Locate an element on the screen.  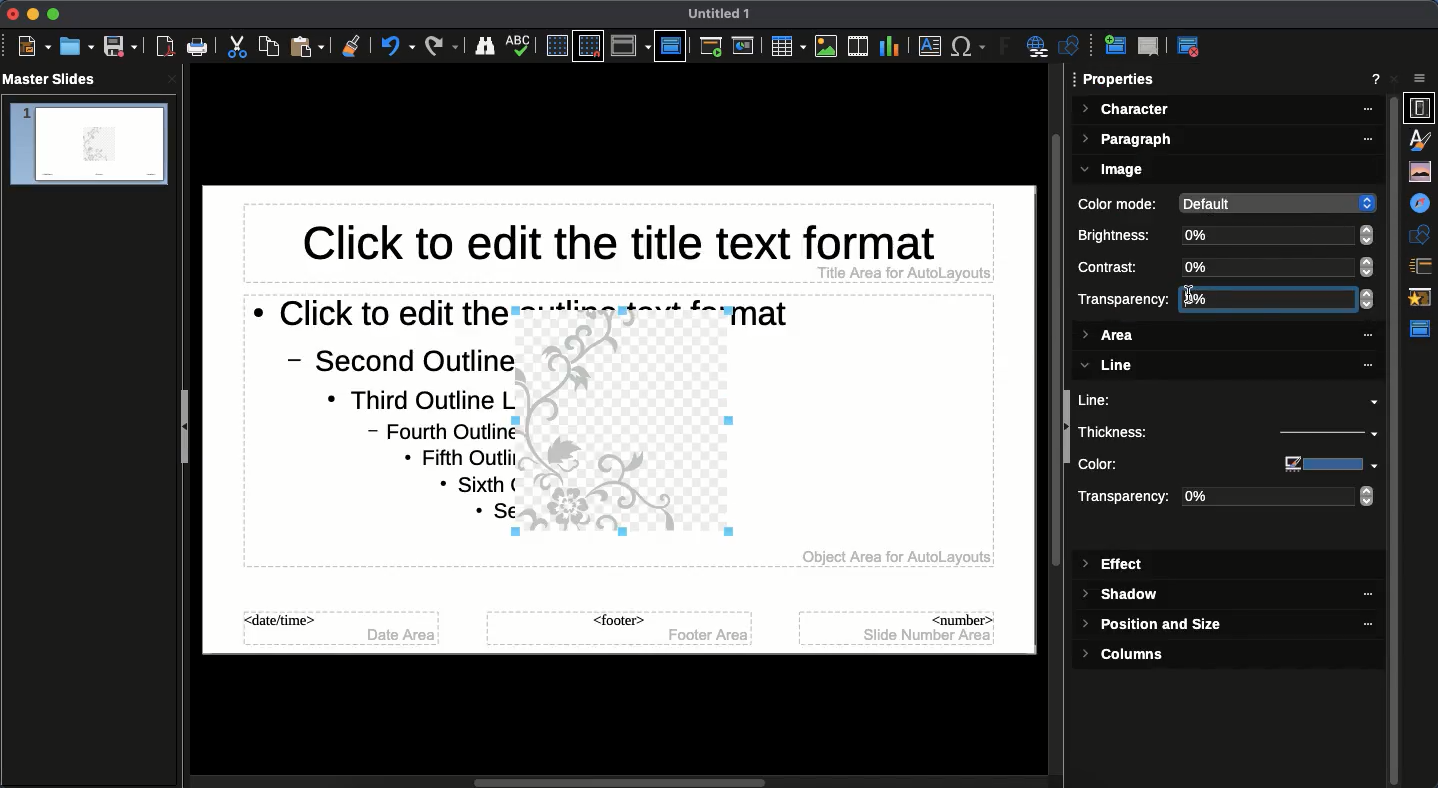
Master slide title is located at coordinates (617, 247).